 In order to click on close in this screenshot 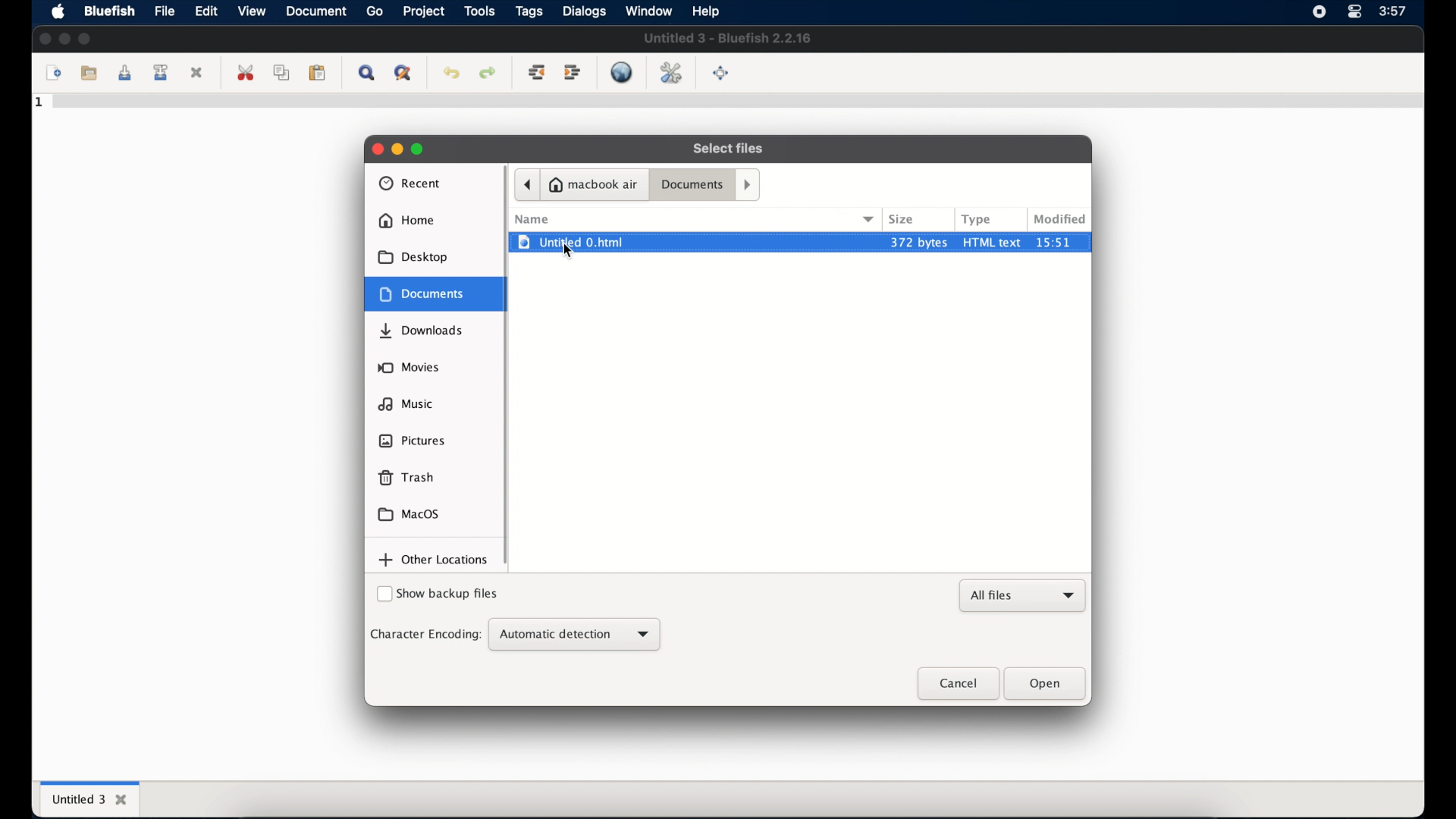, I will do `click(199, 72)`.